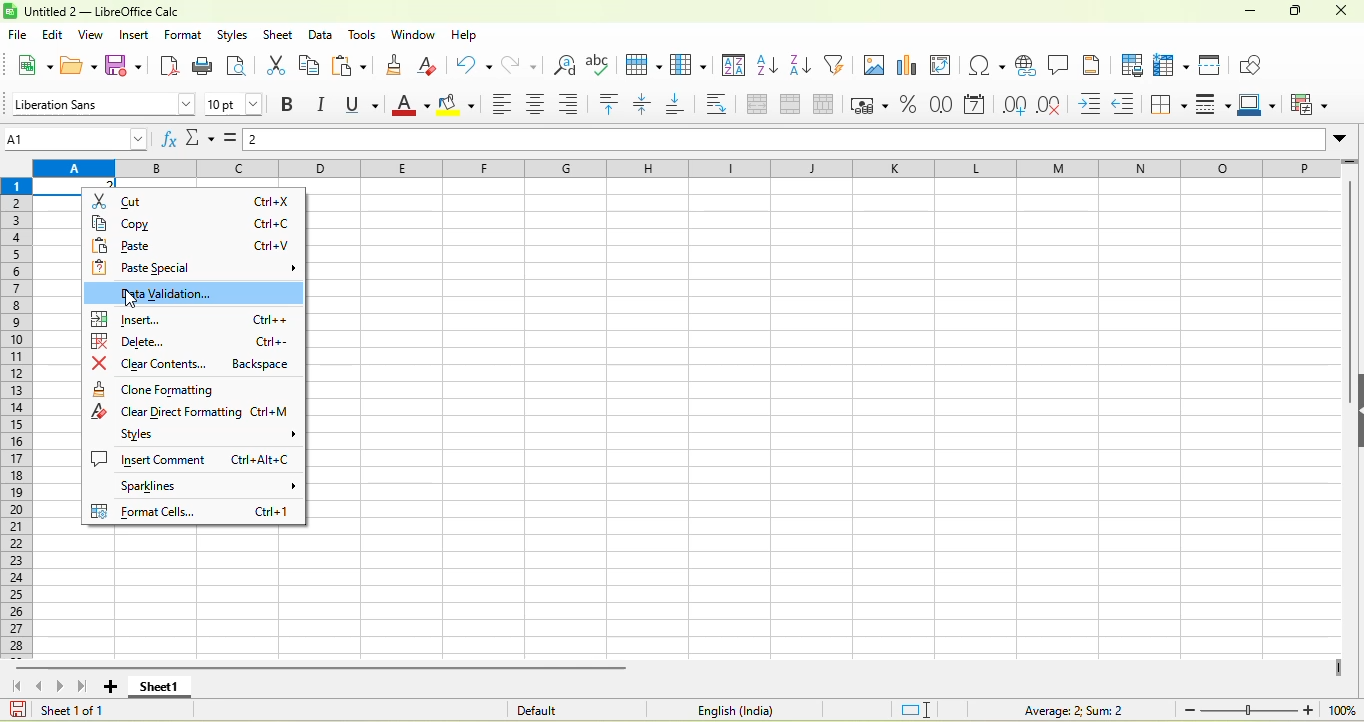 The image size is (1364, 722). Describe the element at coordinates (192, 412) in the screenshot. I see `clear direct formatting ` at that location.